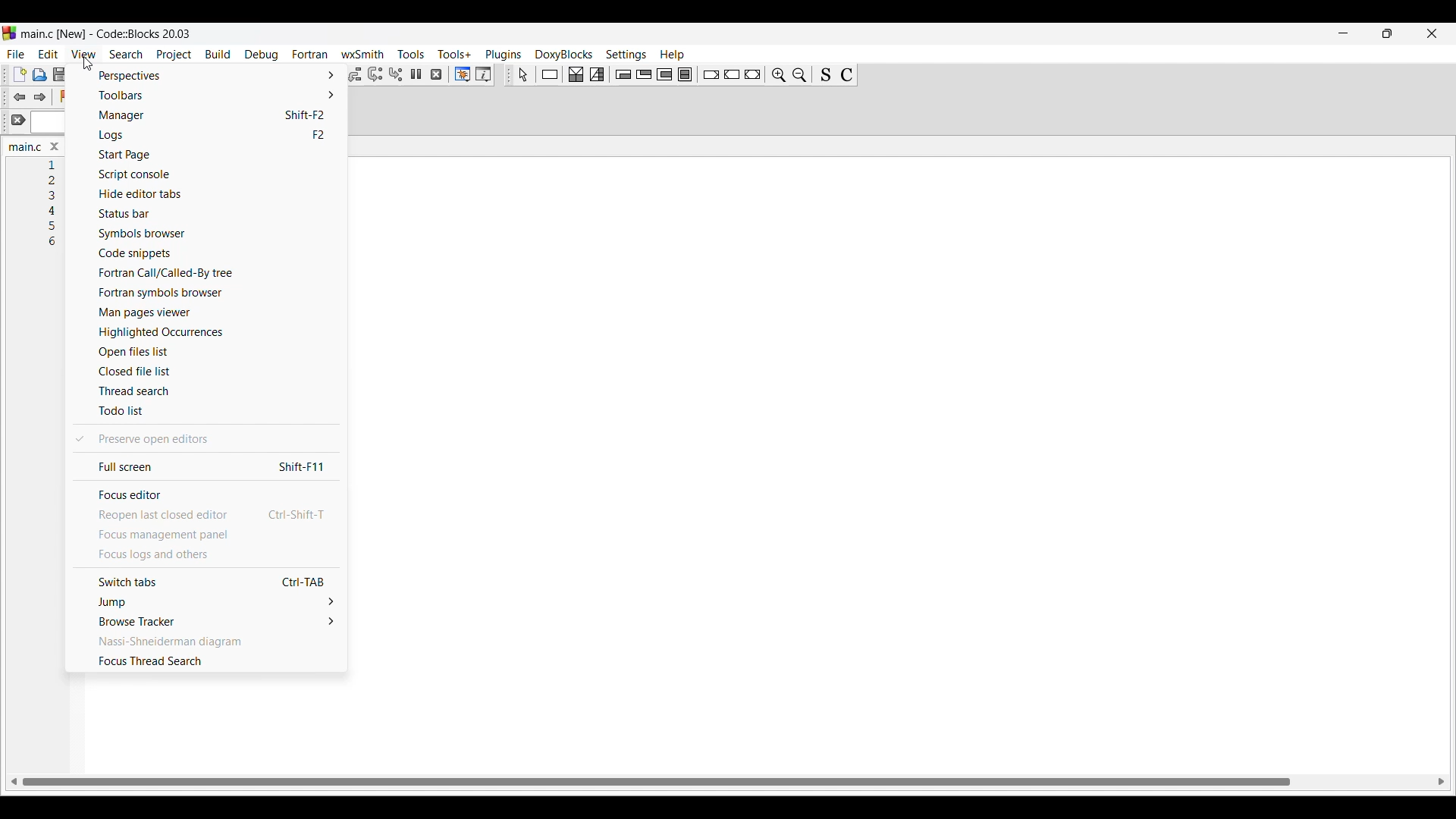 This screenshot has width=1456, height=819. Describe the element at coordinates (127, 55) in the screenshot. I see `Search menu` at that location.